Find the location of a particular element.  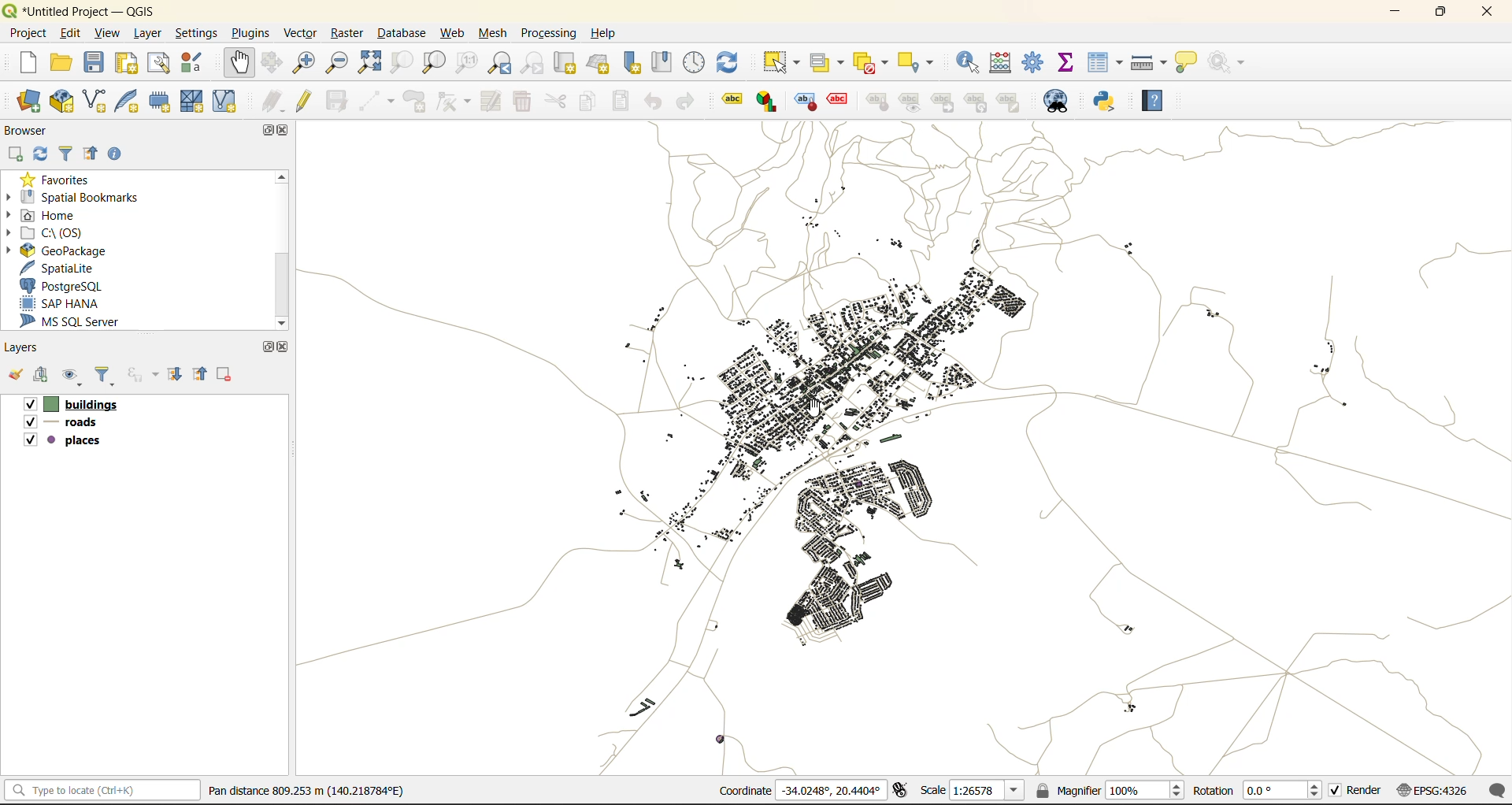

close is located at coordinates (284, 132).